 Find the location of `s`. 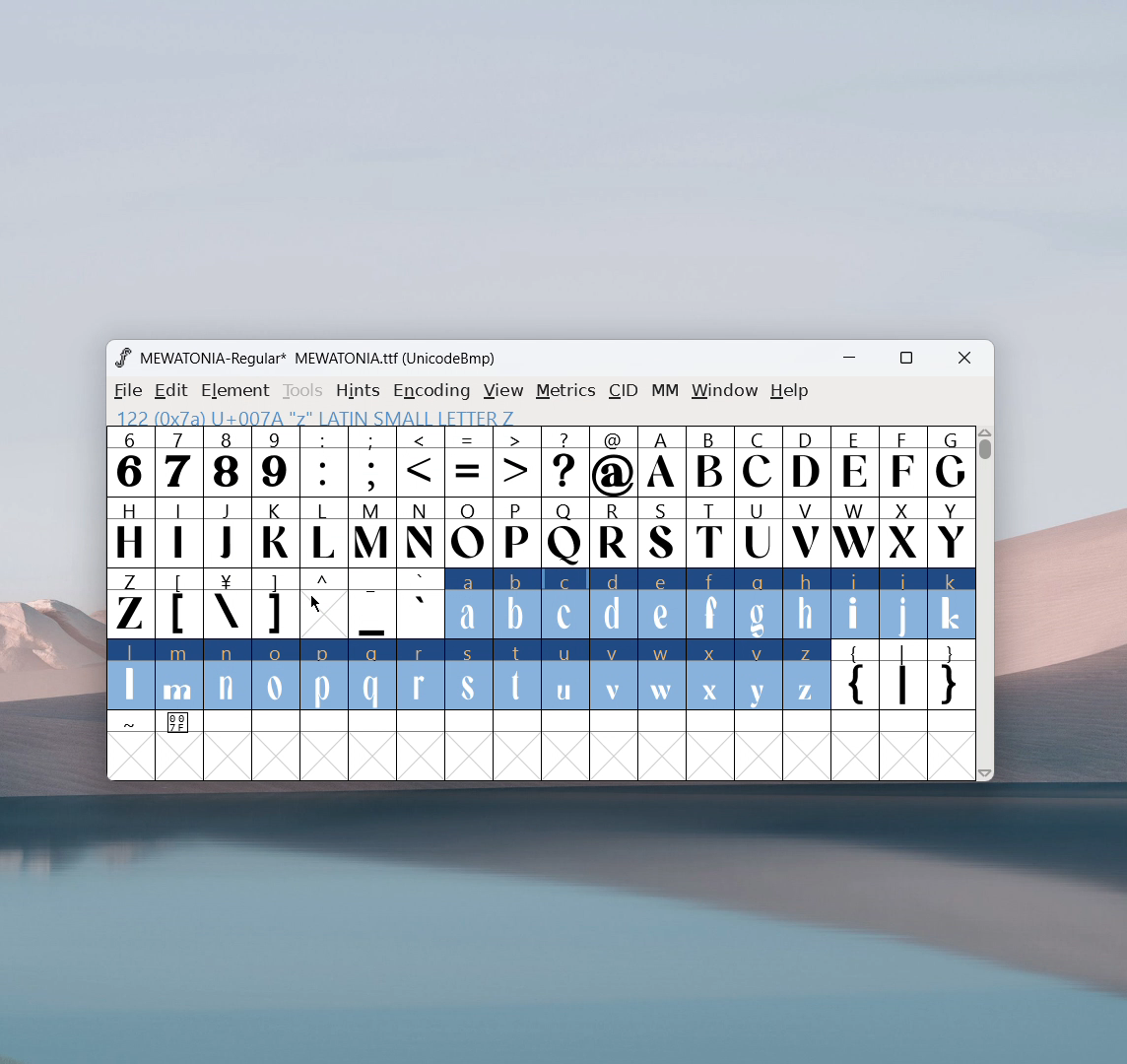

s is located at coordinates (469, 676).